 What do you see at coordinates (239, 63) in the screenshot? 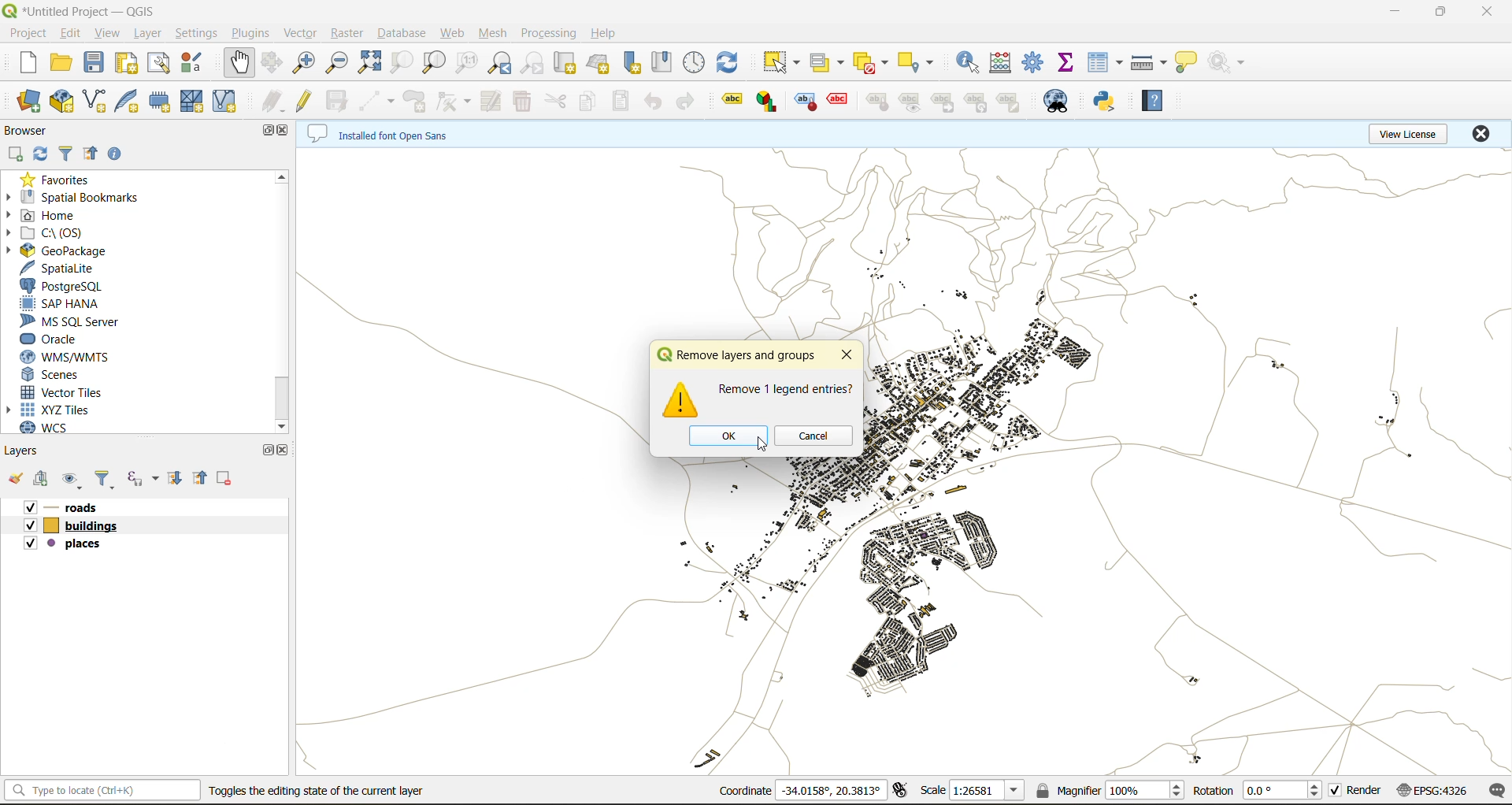
I see `pan map` at bounding box center [239, 63].